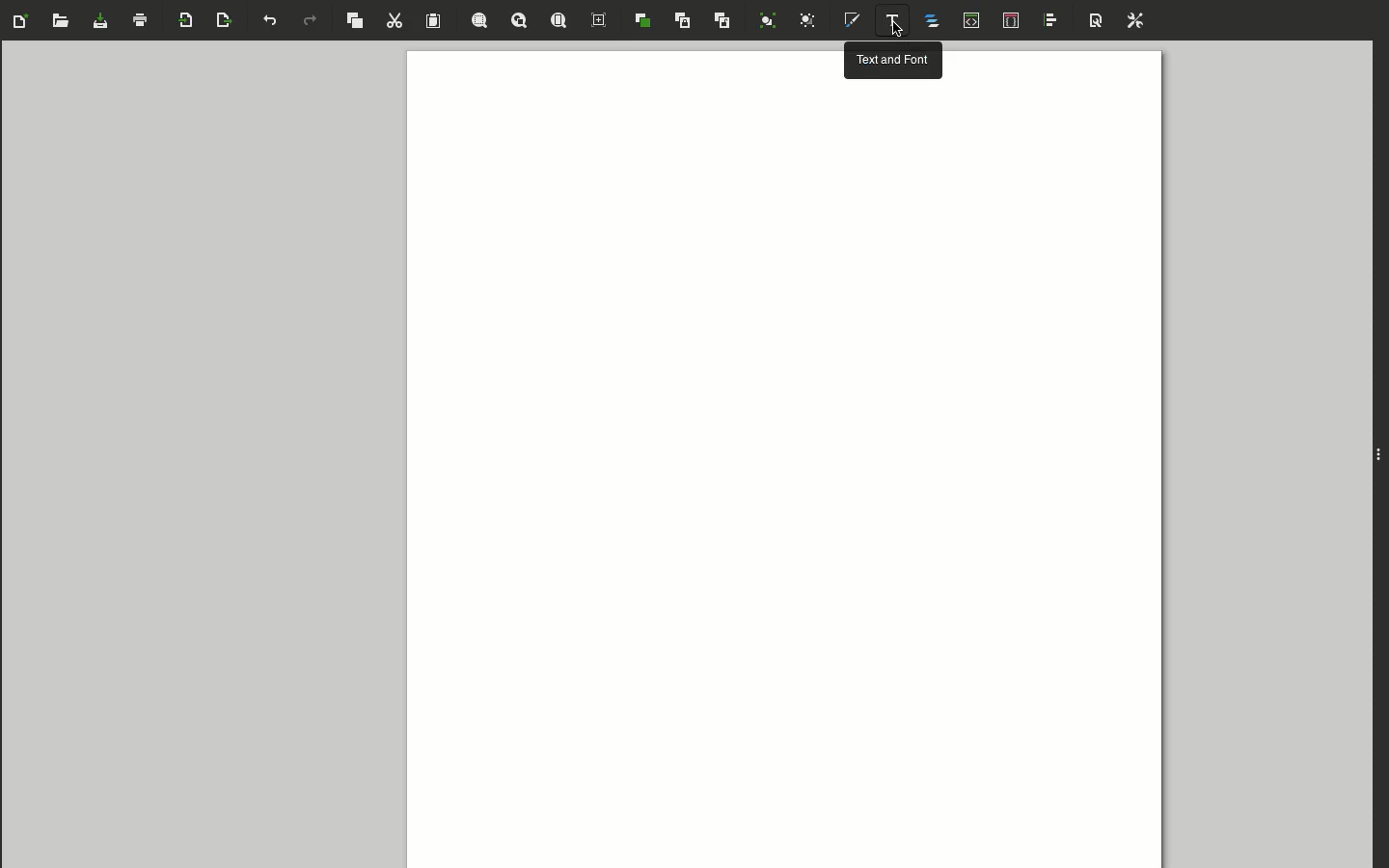 Image resolution: width=1389 pixels, height=868 pixels. I want to click on Fill and stroke, so click(858, 21).